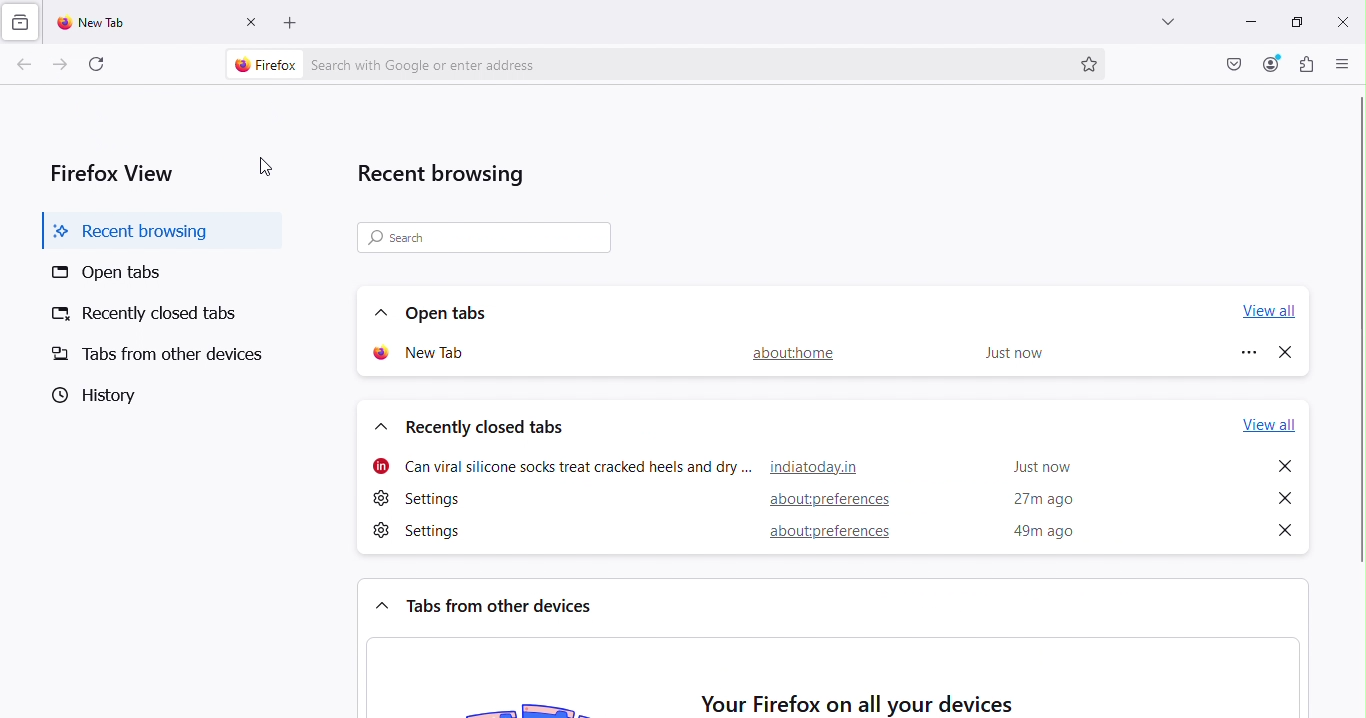  Describe the element at coordinates (430, 357) in the screenshot. I see `New tab` at that location.